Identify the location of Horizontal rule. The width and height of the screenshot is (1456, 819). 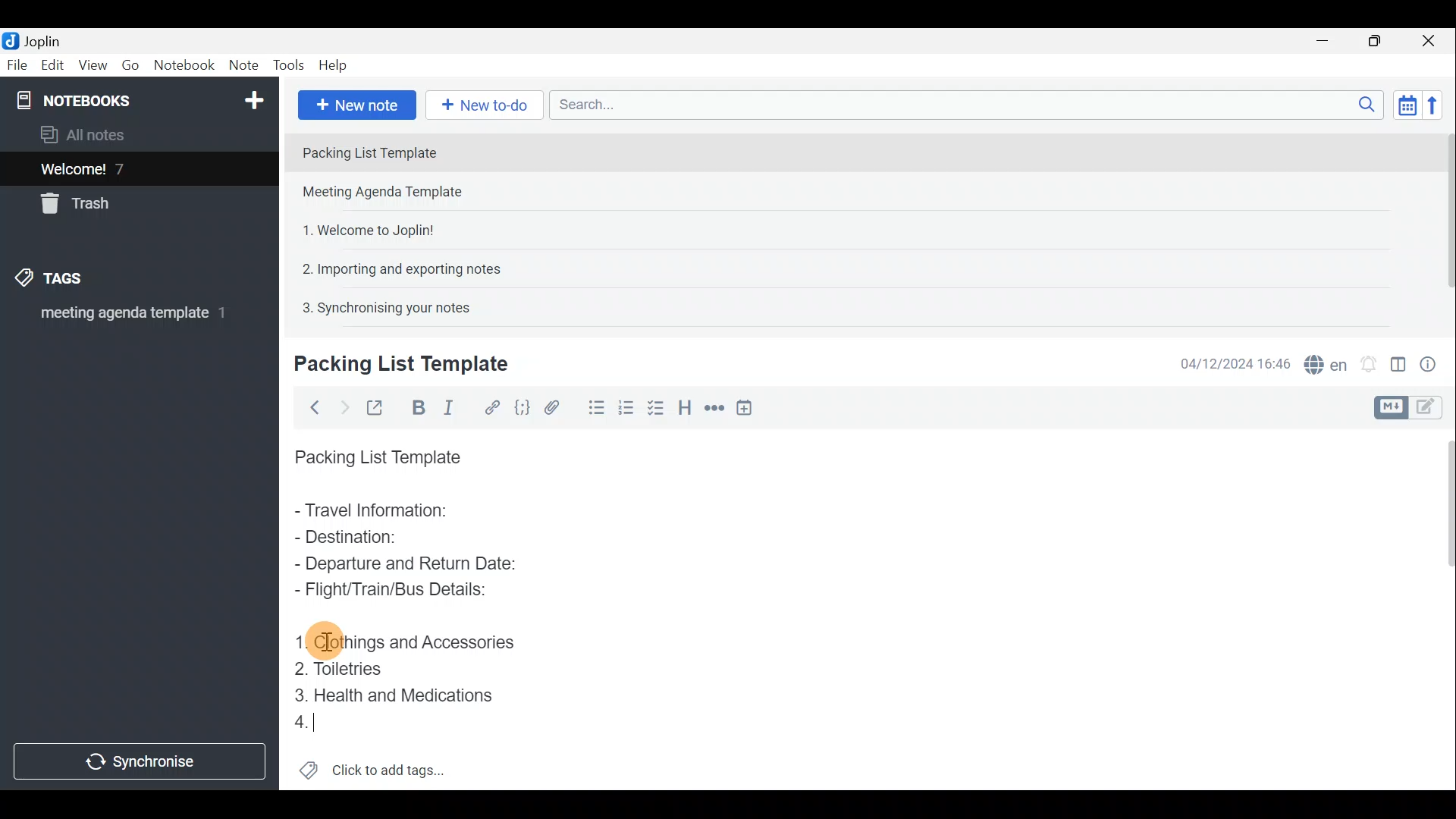
(712, 408).